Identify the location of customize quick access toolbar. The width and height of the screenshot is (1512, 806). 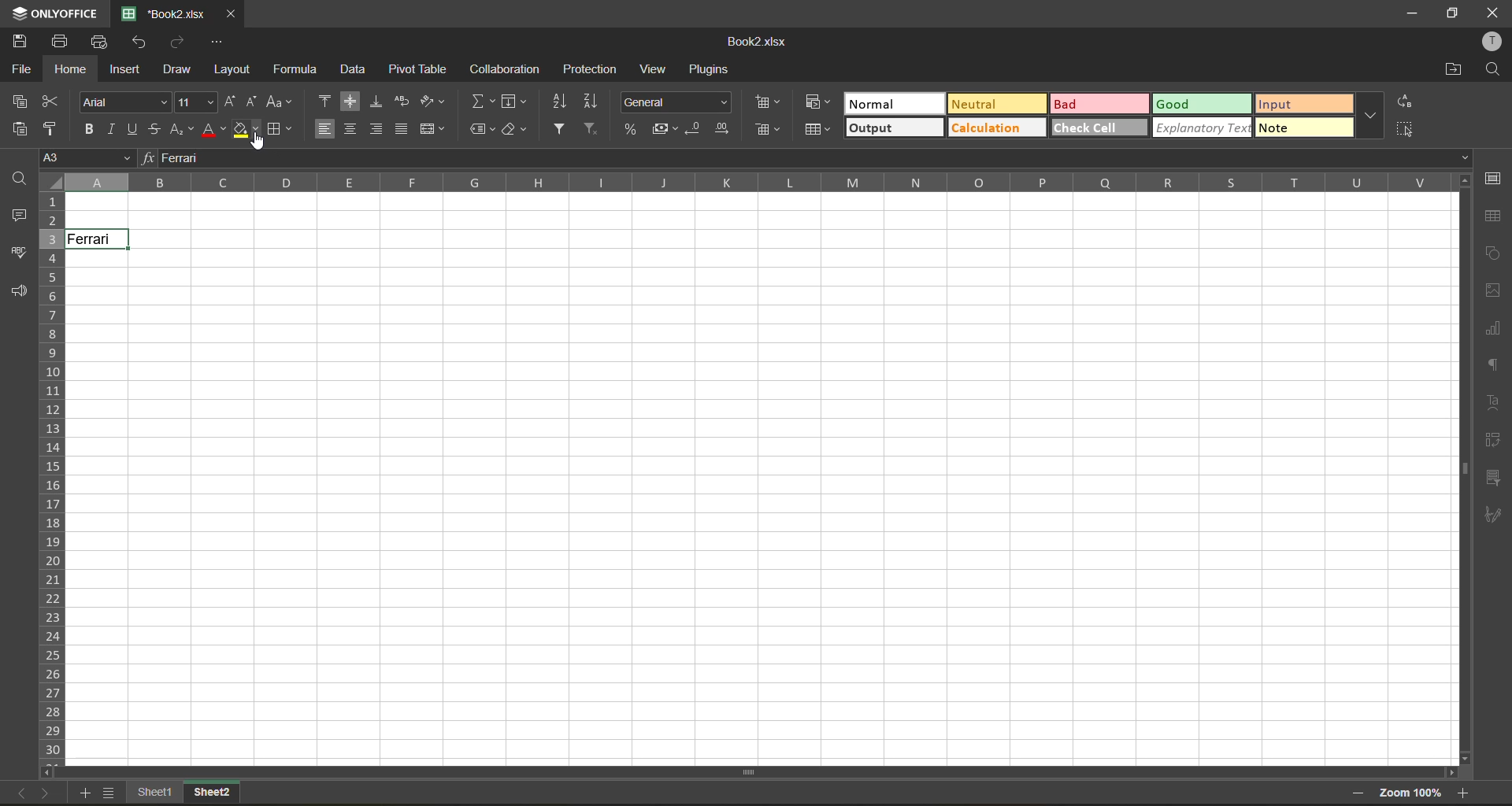
(217, 42).